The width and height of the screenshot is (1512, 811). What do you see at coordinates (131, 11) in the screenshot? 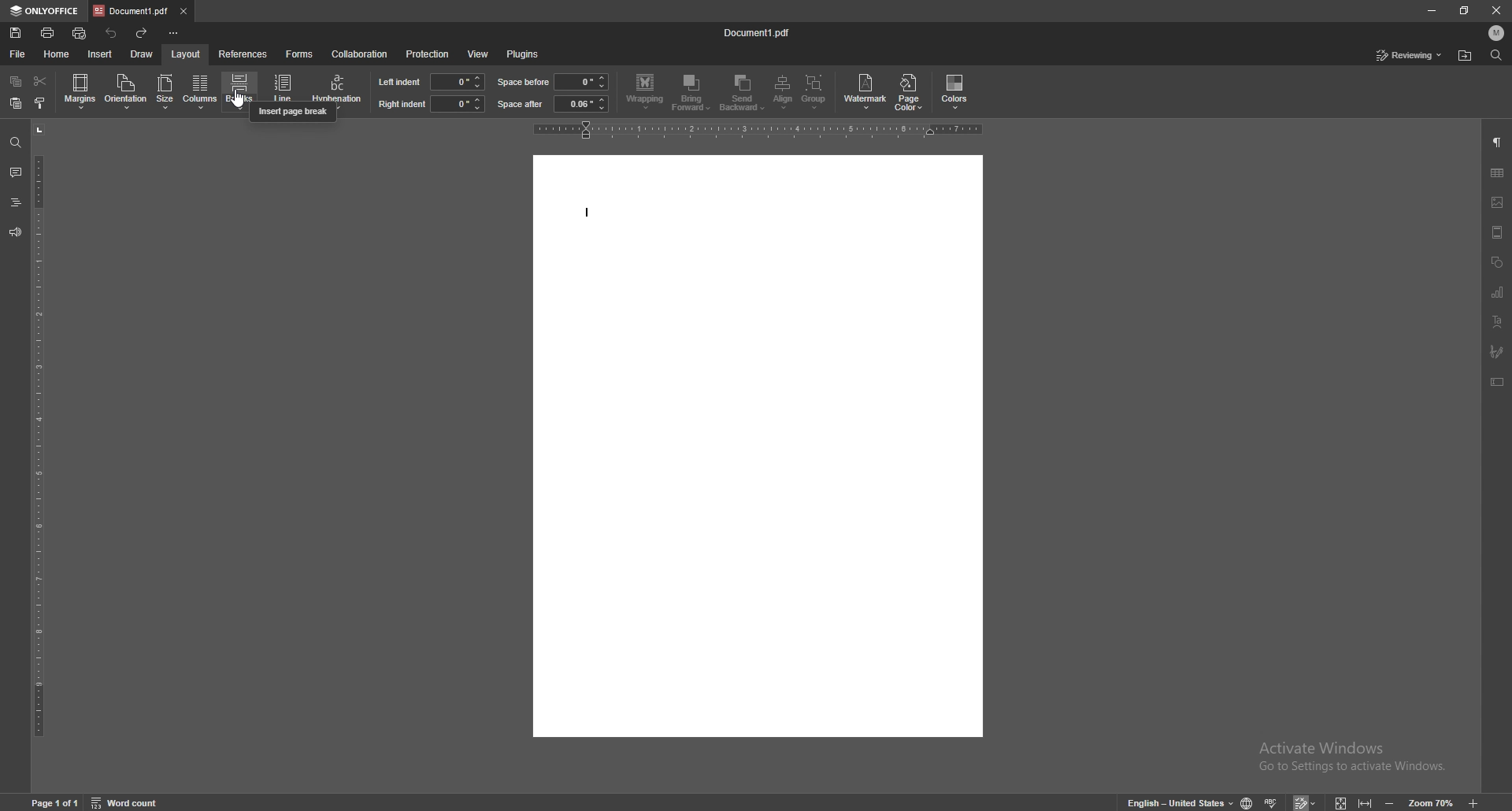
I see `tab` at bounding box center [131, 11].